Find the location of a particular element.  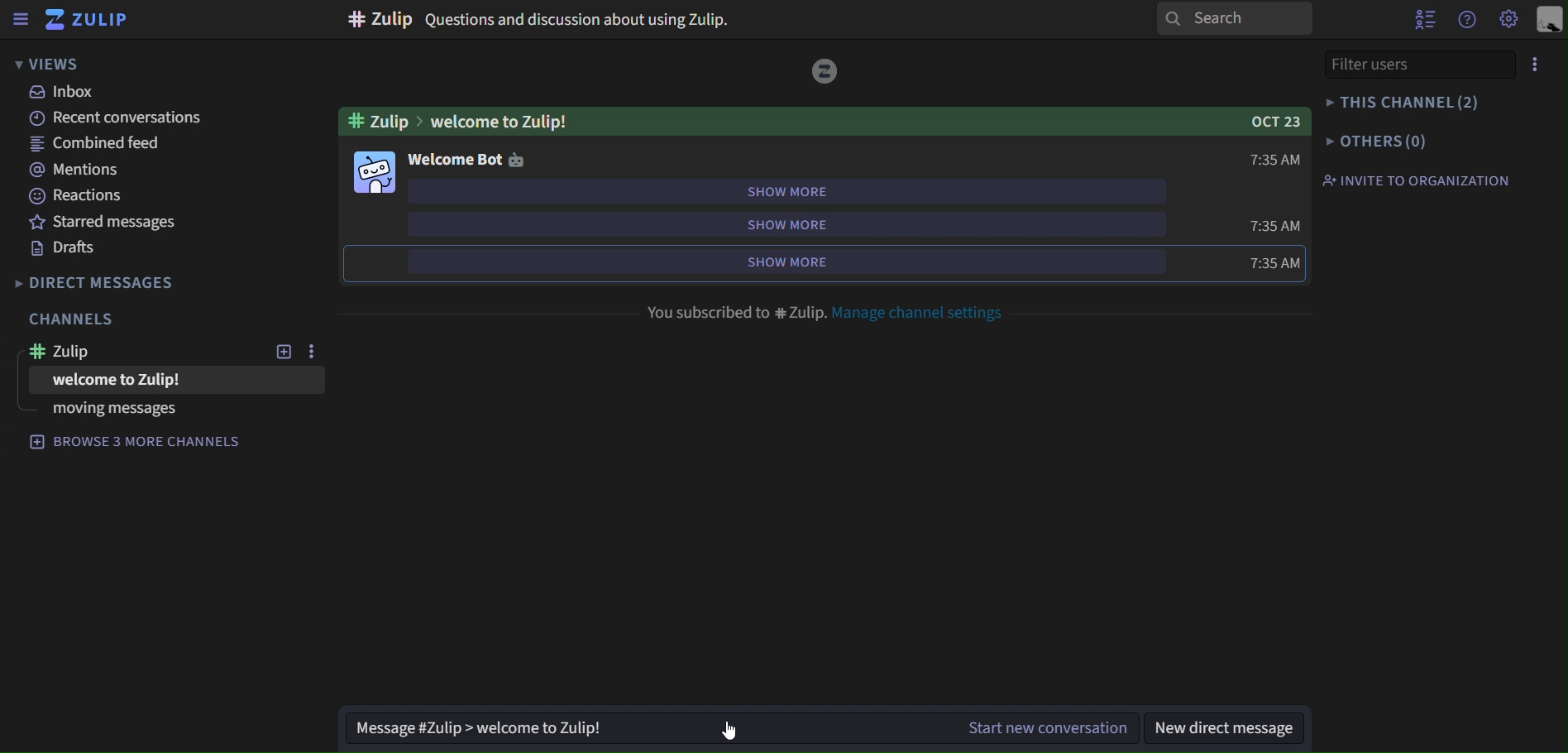

reactions is located at coordinates (83, 199).